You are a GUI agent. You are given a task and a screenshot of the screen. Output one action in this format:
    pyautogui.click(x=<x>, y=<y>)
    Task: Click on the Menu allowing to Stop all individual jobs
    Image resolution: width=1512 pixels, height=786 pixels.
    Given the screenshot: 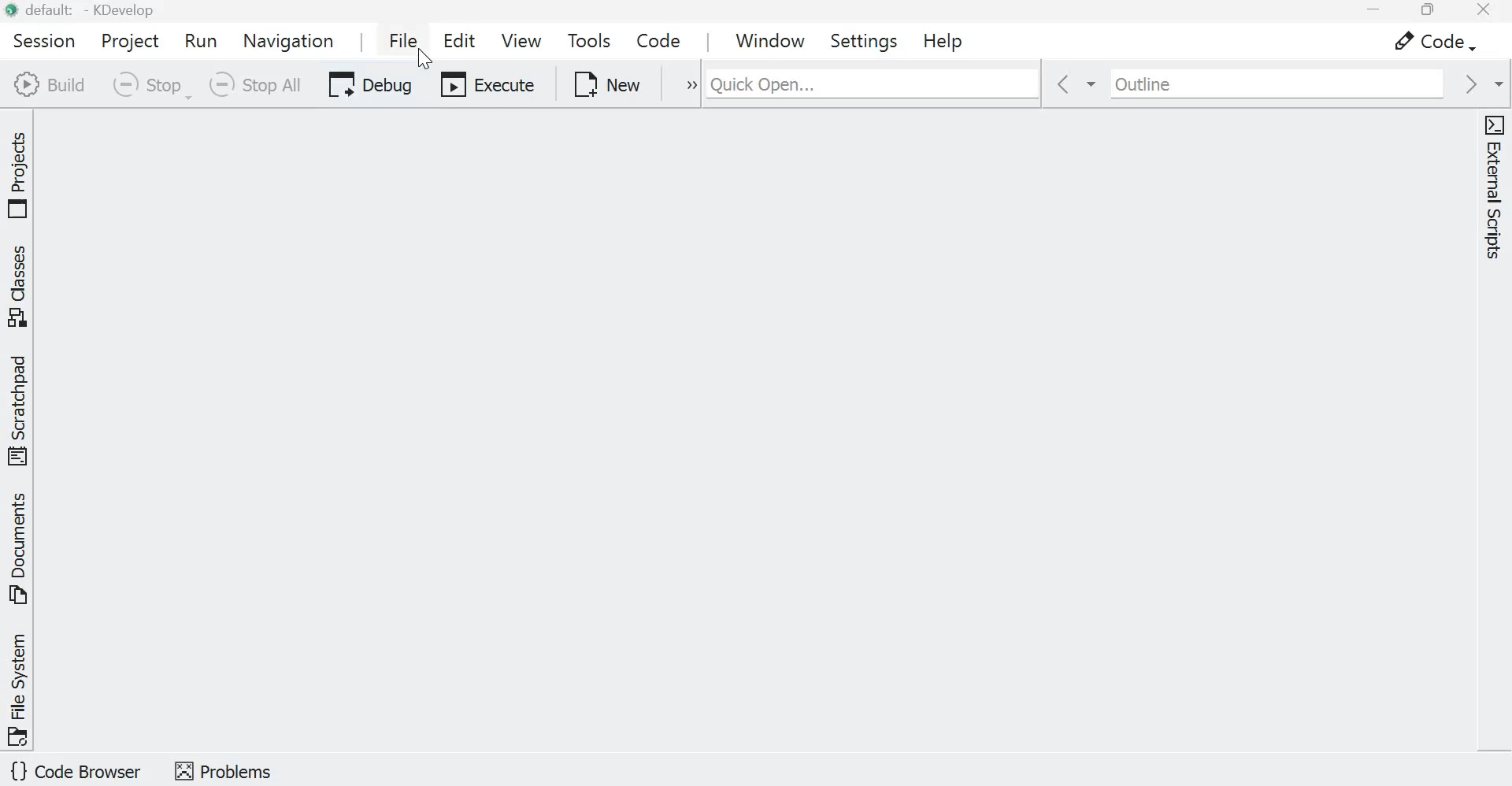 What is the action you would take?
    pyautogui.click(x=148, y=85)
    